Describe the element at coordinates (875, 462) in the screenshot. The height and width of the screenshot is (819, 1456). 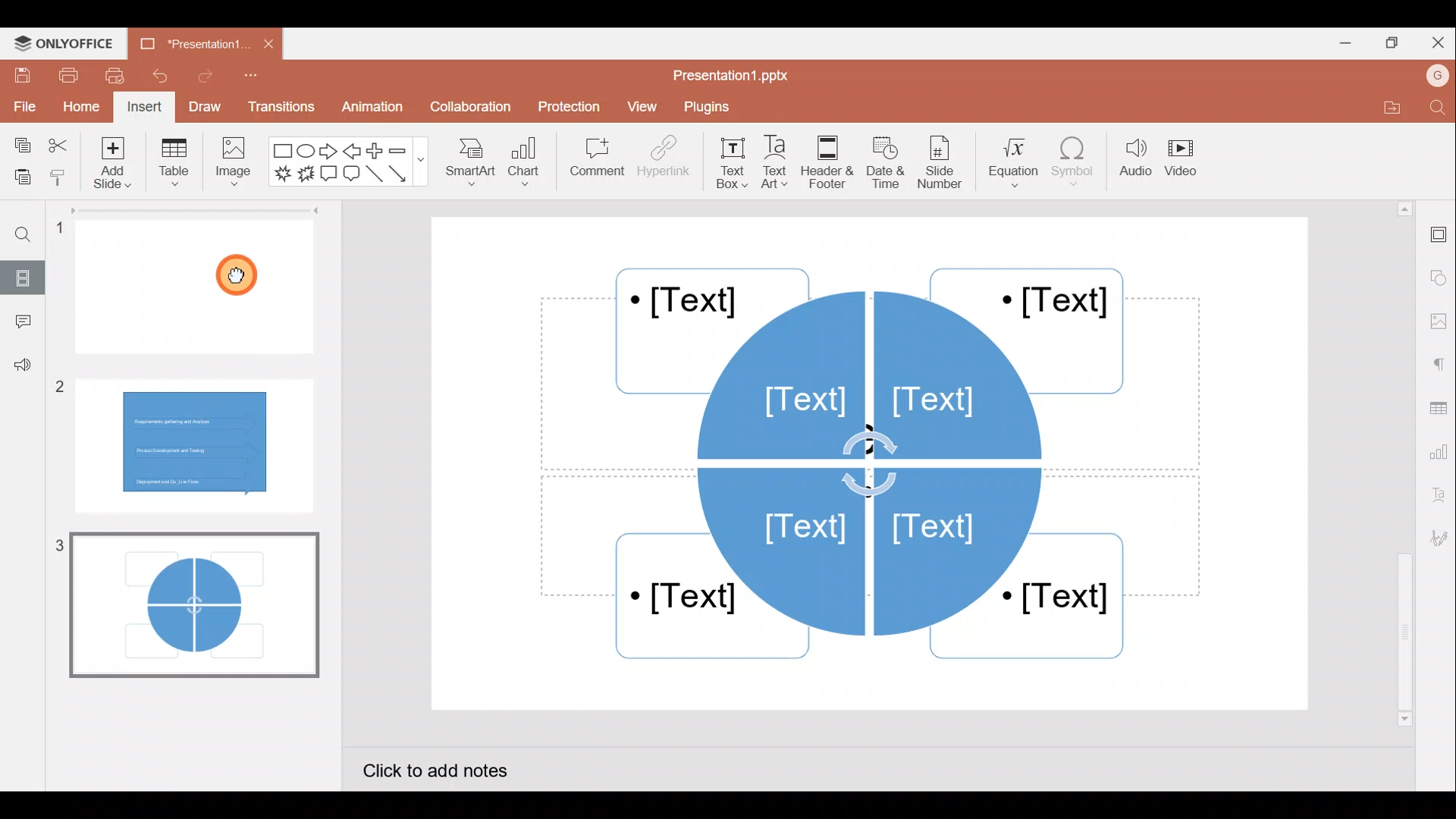
I see `Presentation slide` at that location.